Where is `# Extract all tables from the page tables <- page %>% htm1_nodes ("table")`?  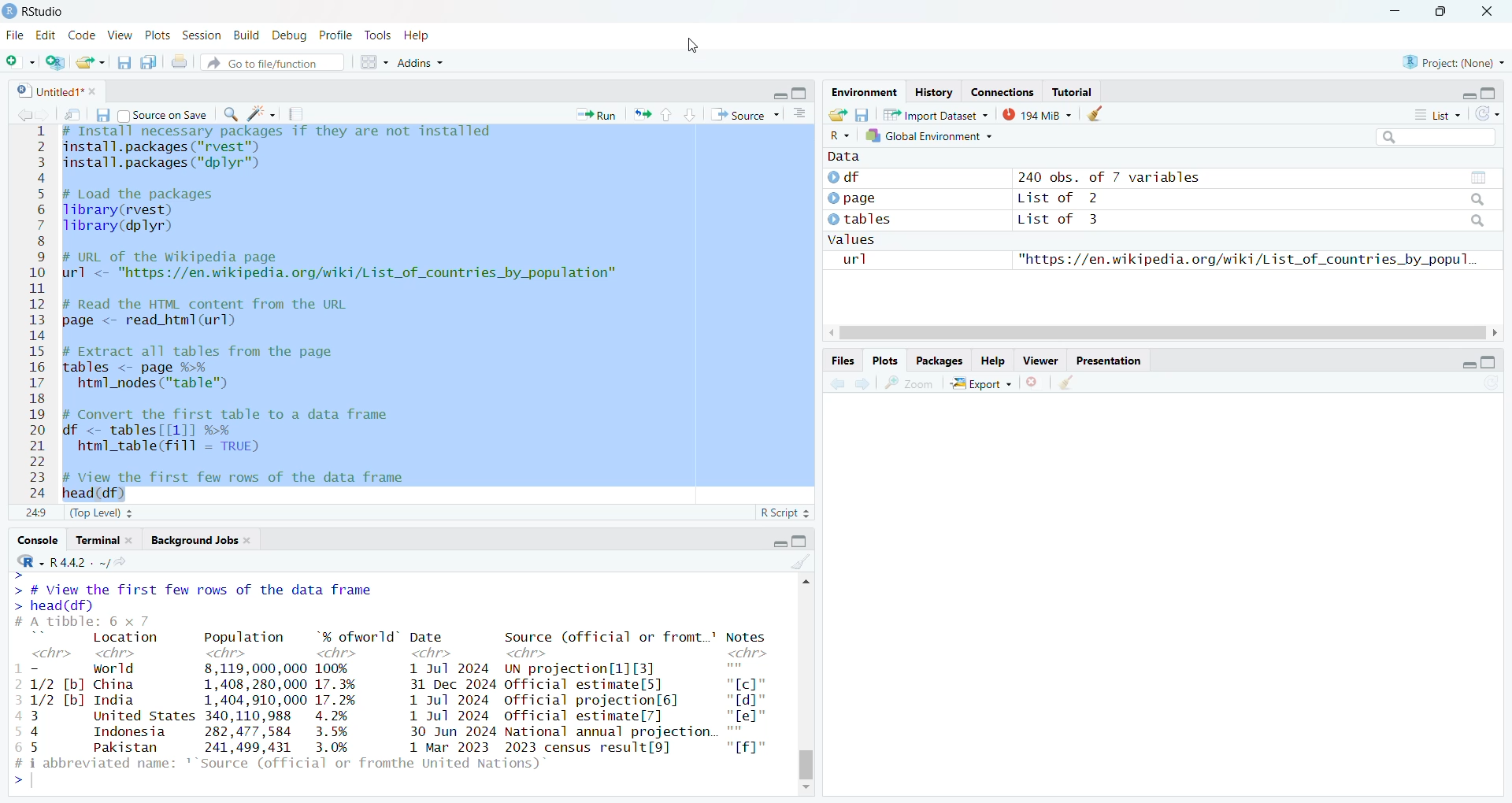 # Extract all tables from the page tables <- page %>% htm1_nodes ("table") is located at coordinates (212, 368).